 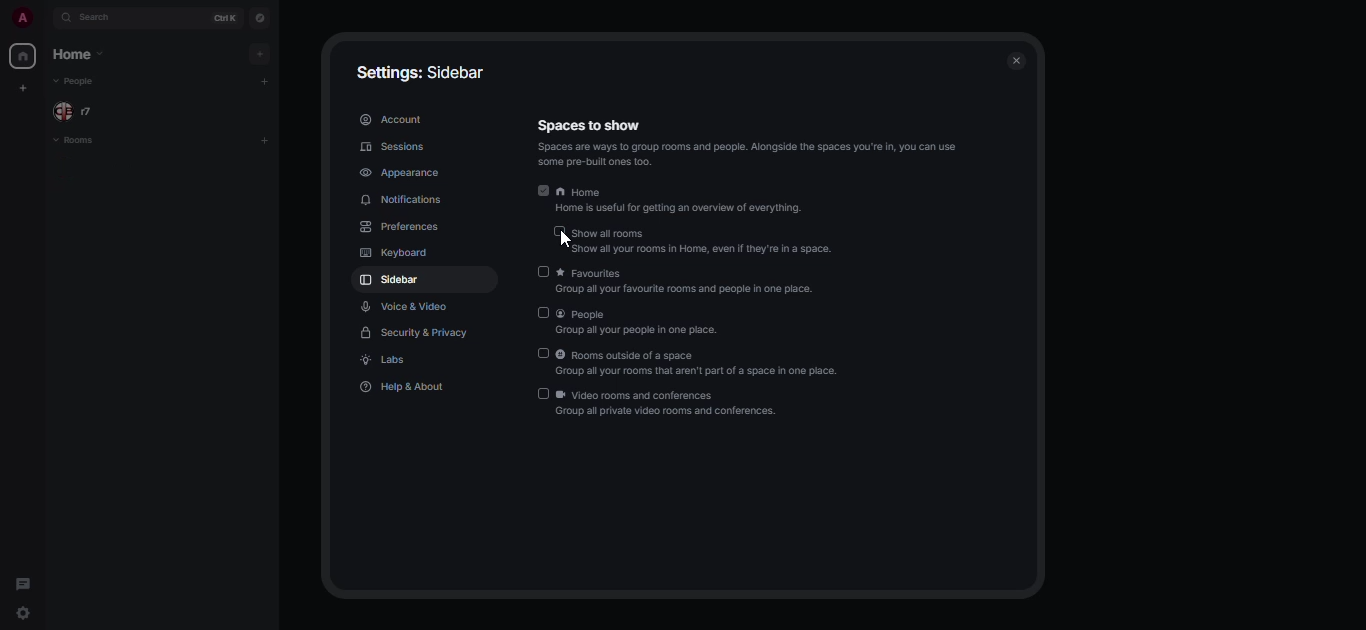 What do you see at coordinates (259, 21) in the screenshot?
I see `navigator` at bounding box center [259, 21].